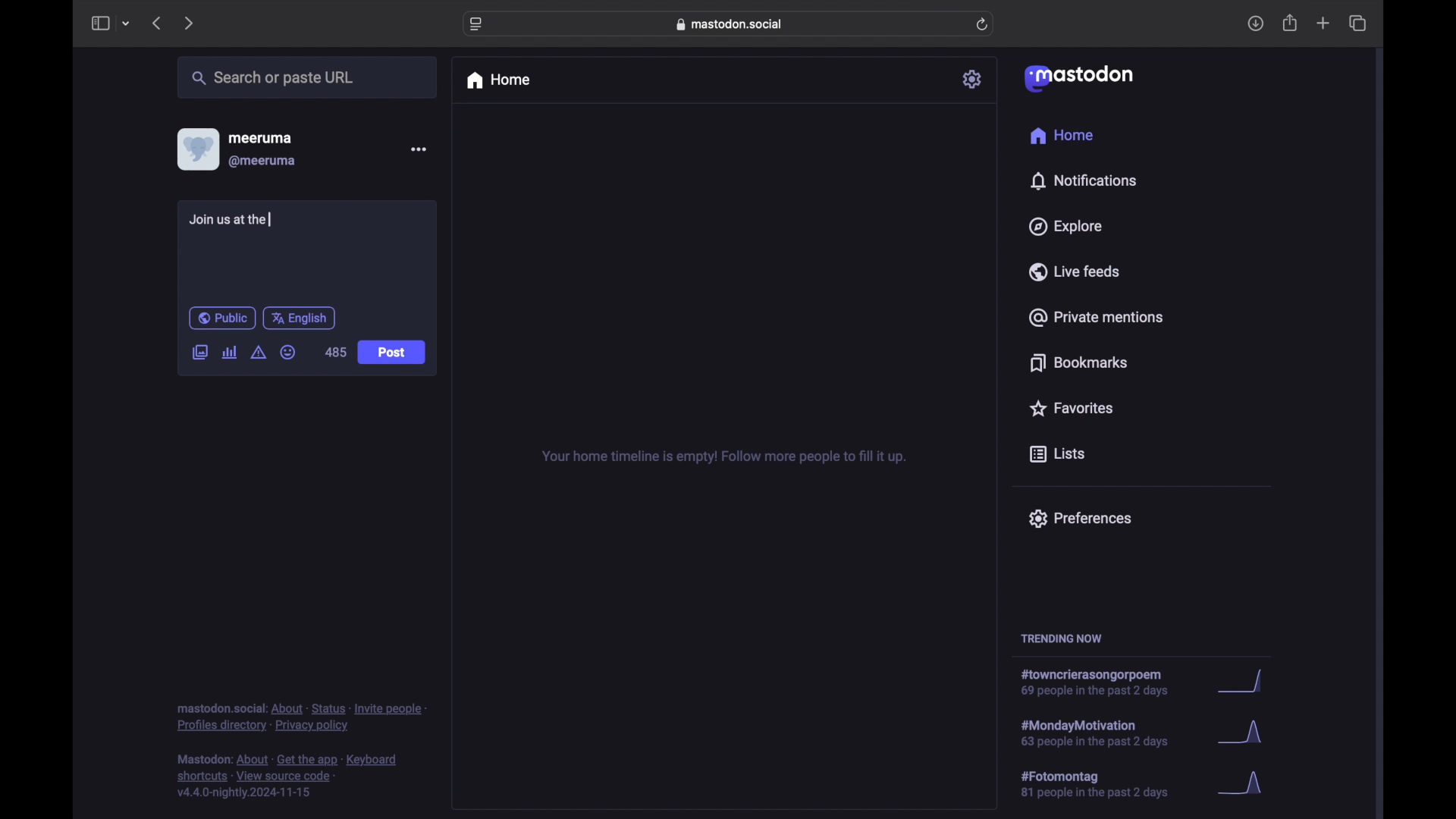  What do you see at coordinates (156, 23) in the screenshot?
I see `previous` at bounding box center [156, 23].